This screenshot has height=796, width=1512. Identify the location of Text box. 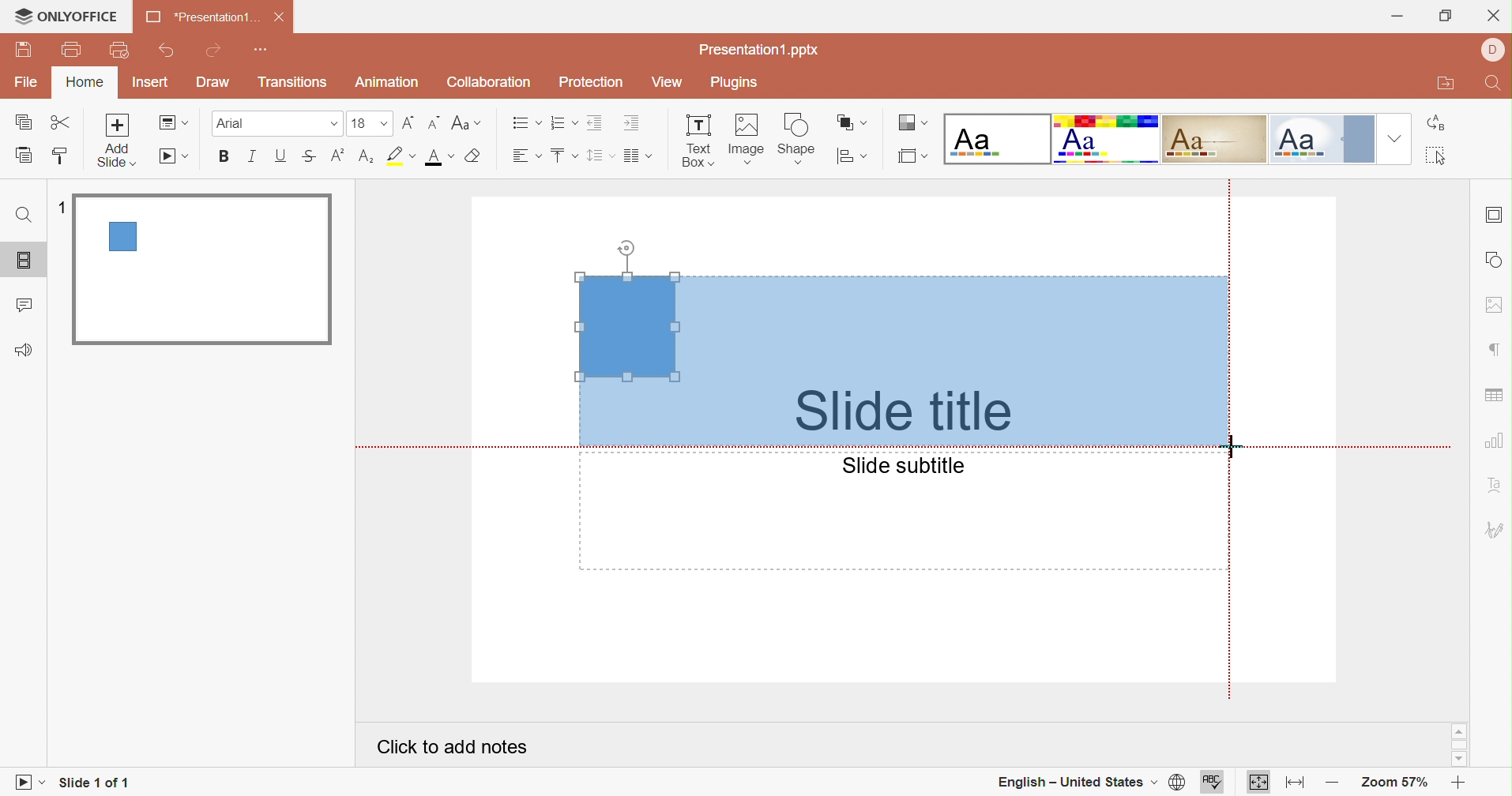
(698, 141).